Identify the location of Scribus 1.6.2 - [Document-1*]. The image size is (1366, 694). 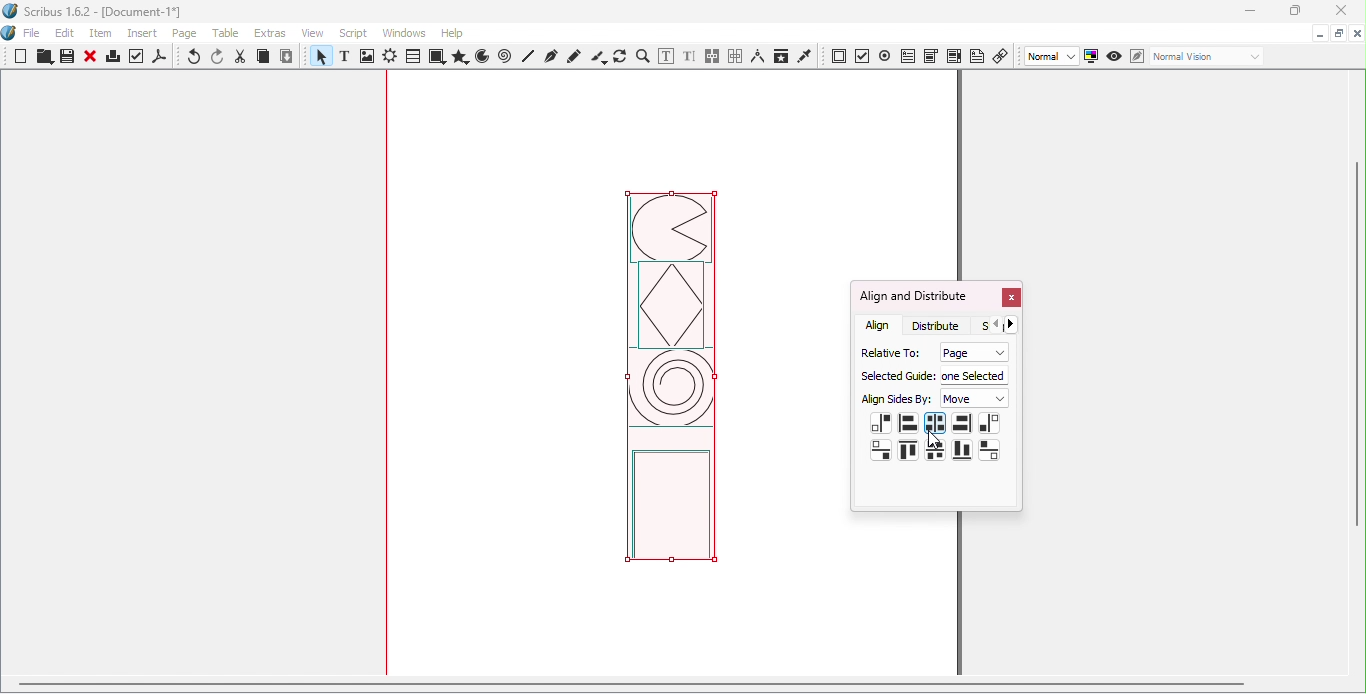
(101, 13).